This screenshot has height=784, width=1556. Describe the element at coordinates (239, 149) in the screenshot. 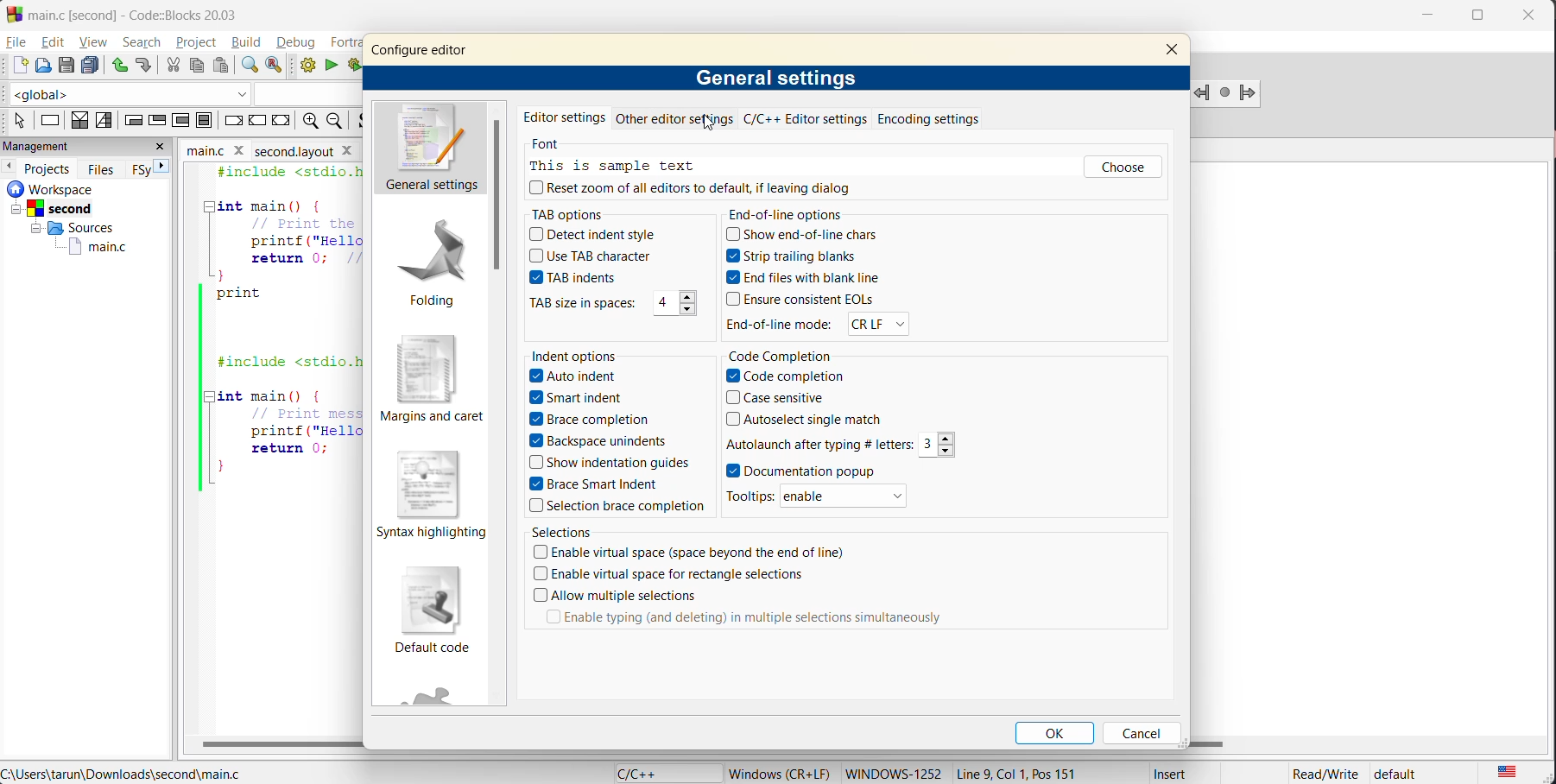

I see `close` at that location.